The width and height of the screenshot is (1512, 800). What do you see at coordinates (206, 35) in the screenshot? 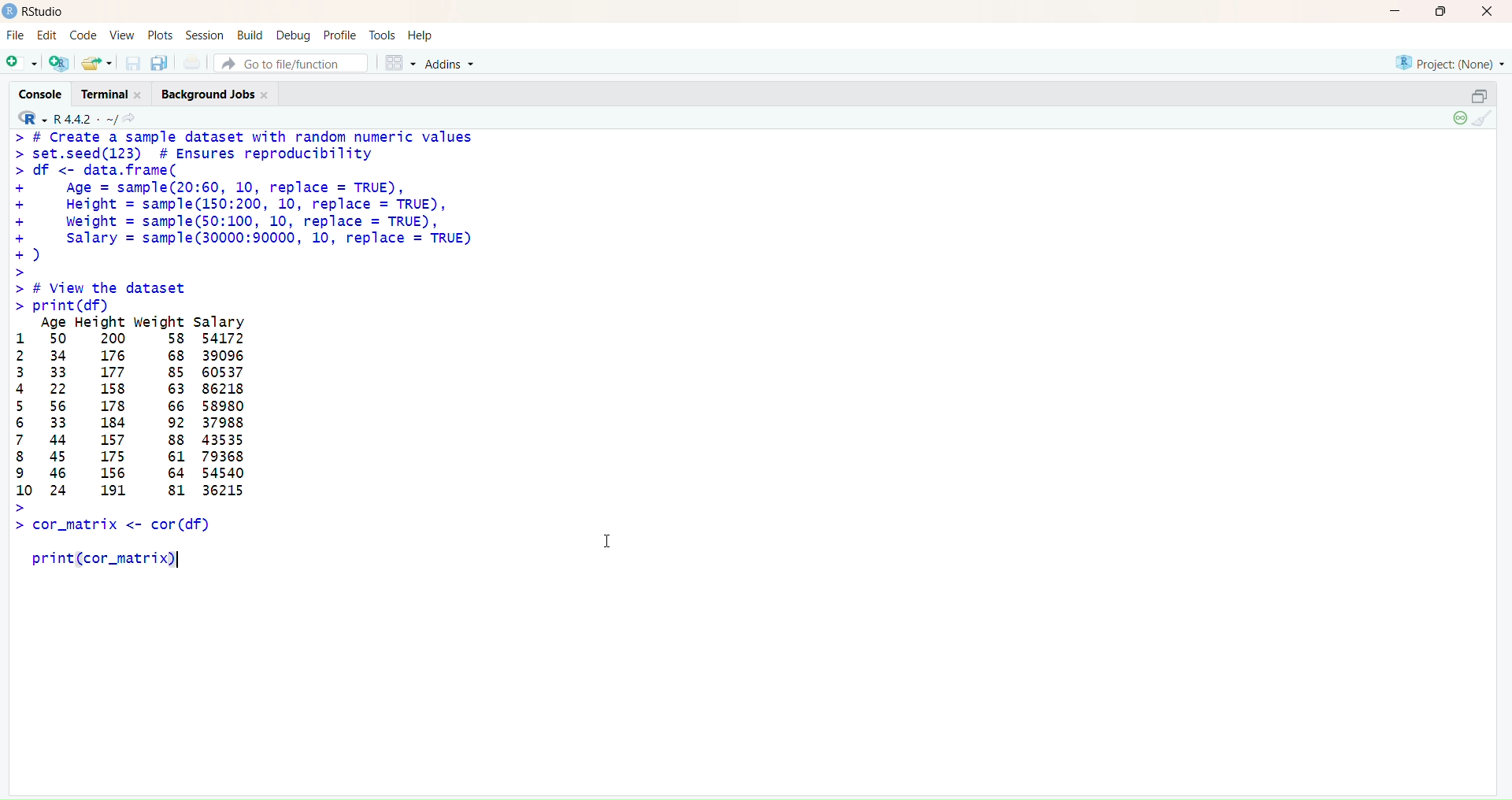
I see `Session` at bounding box center [206, 35].